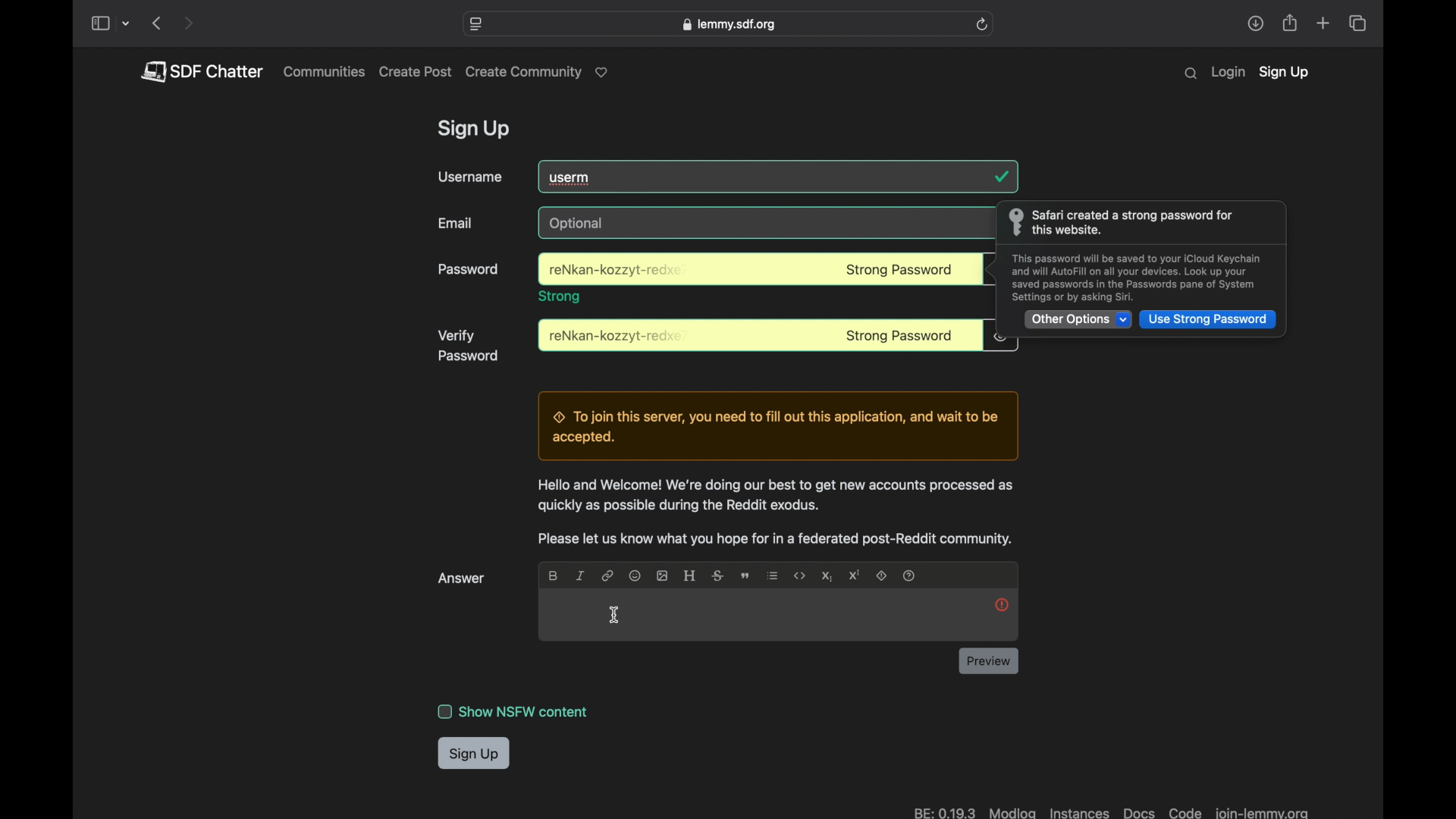 Image resolution: width=1456 pixels, height=819 pixels. I want to click on website settings, so click(477, 24).